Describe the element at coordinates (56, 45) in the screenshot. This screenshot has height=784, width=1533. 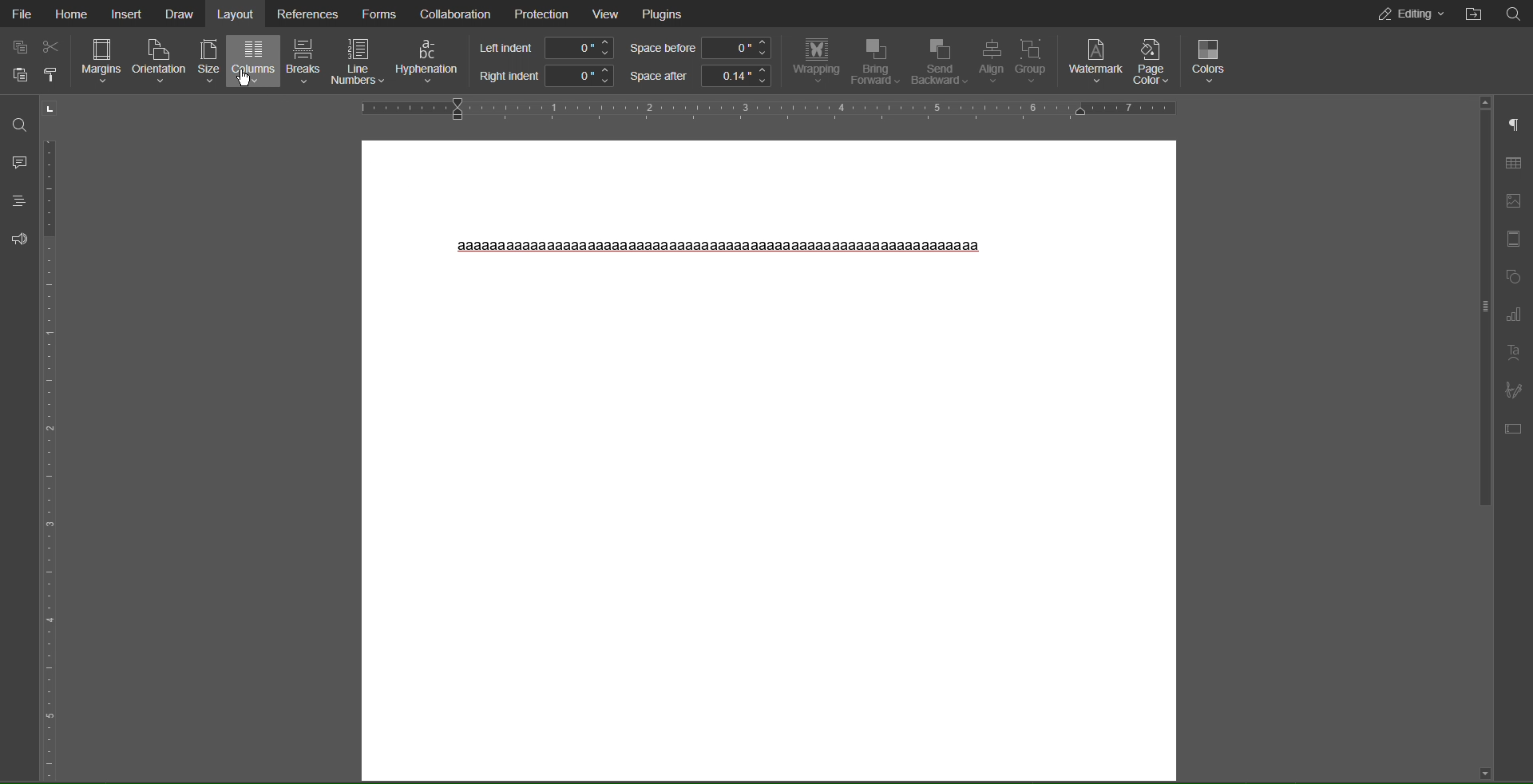
I see `cut` at that location.